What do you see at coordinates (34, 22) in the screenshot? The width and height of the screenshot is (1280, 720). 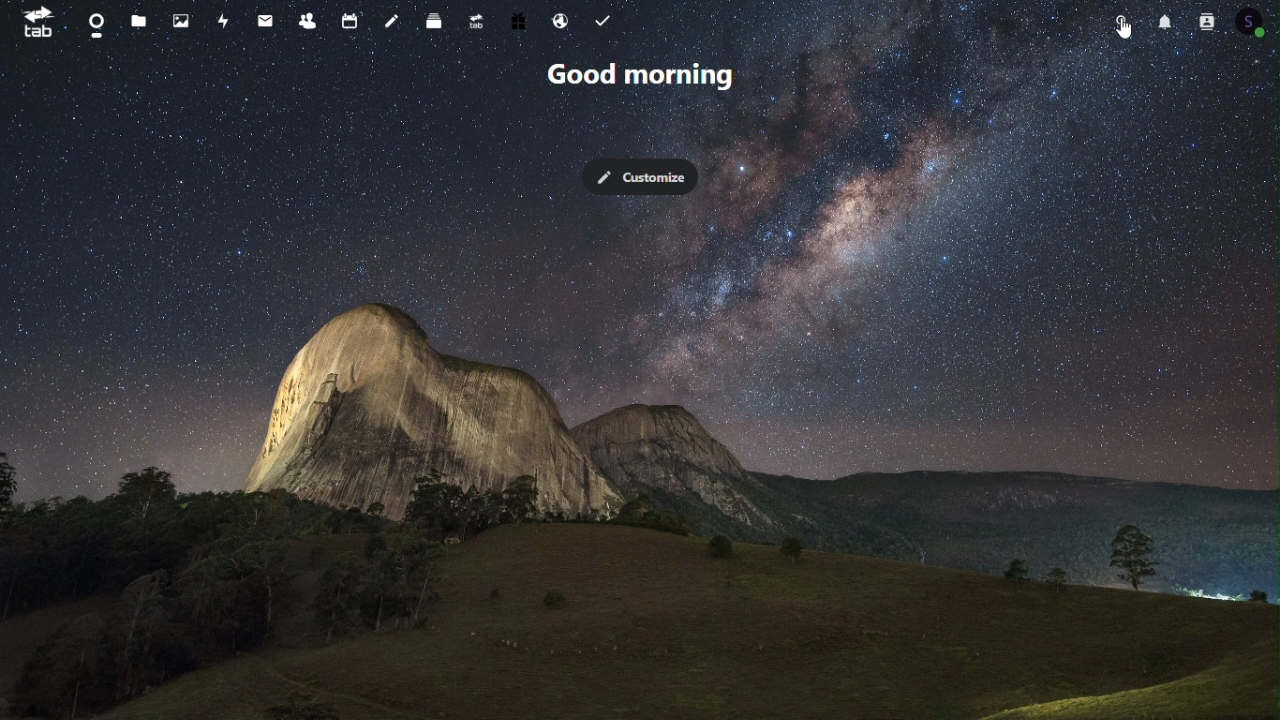 I see `tab` at bounding box center [34, 22].